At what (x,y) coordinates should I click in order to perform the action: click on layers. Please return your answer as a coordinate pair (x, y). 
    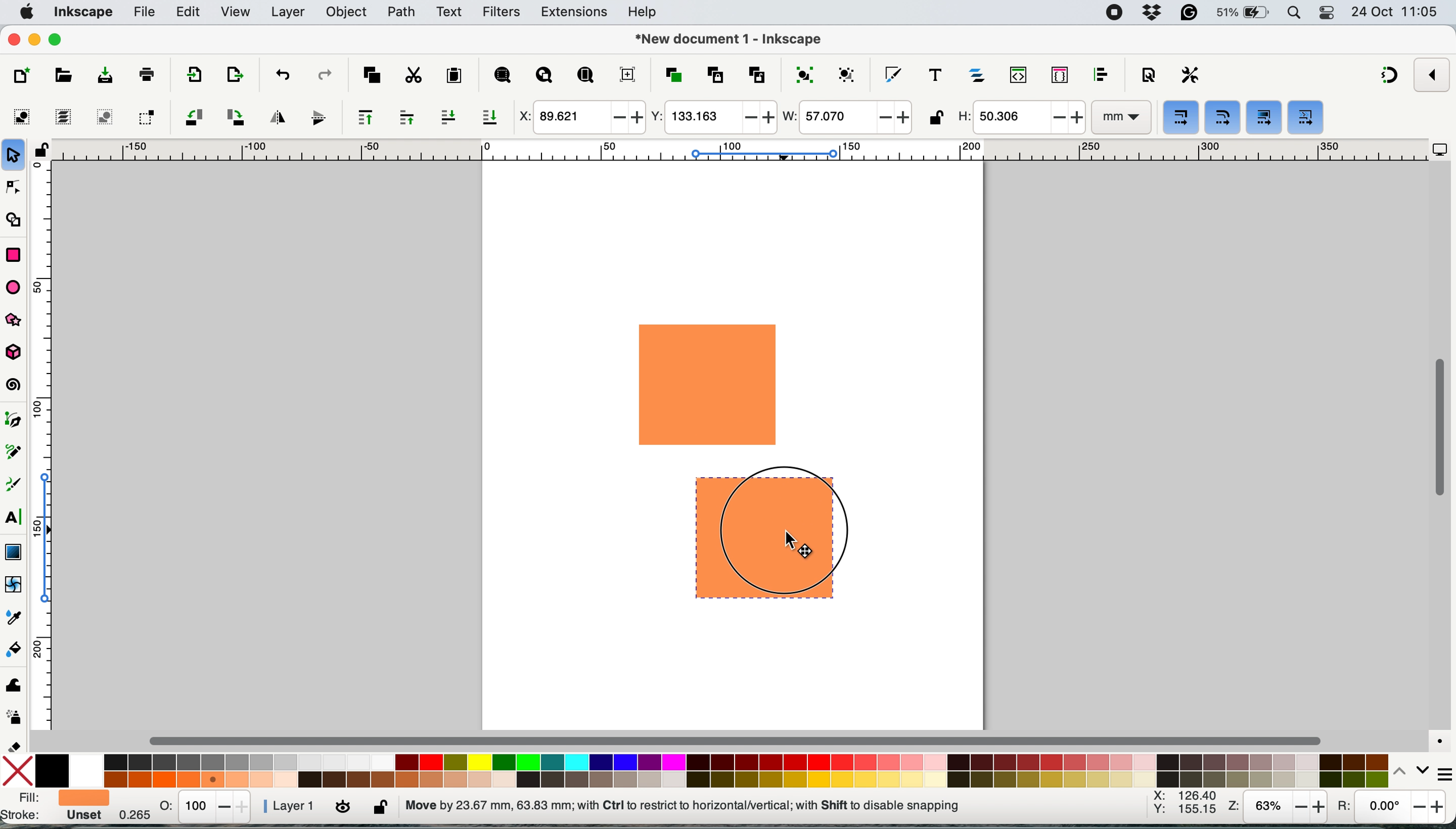
    Looking at the image, I should click on (288, 12).